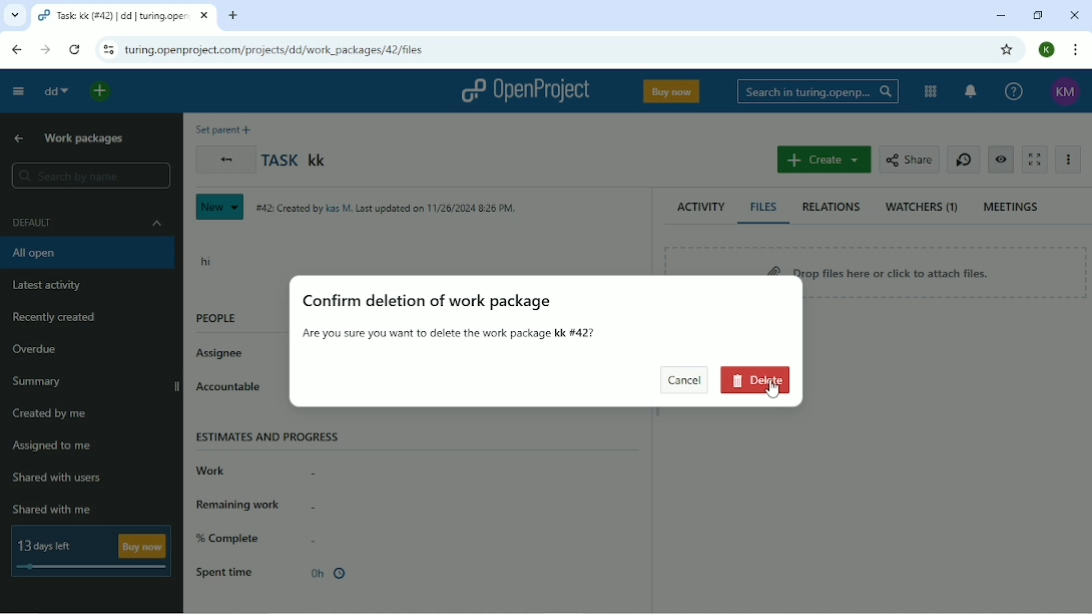  Describe the element at coordinates (100, 91) in the screenshot. I see `` at that location.